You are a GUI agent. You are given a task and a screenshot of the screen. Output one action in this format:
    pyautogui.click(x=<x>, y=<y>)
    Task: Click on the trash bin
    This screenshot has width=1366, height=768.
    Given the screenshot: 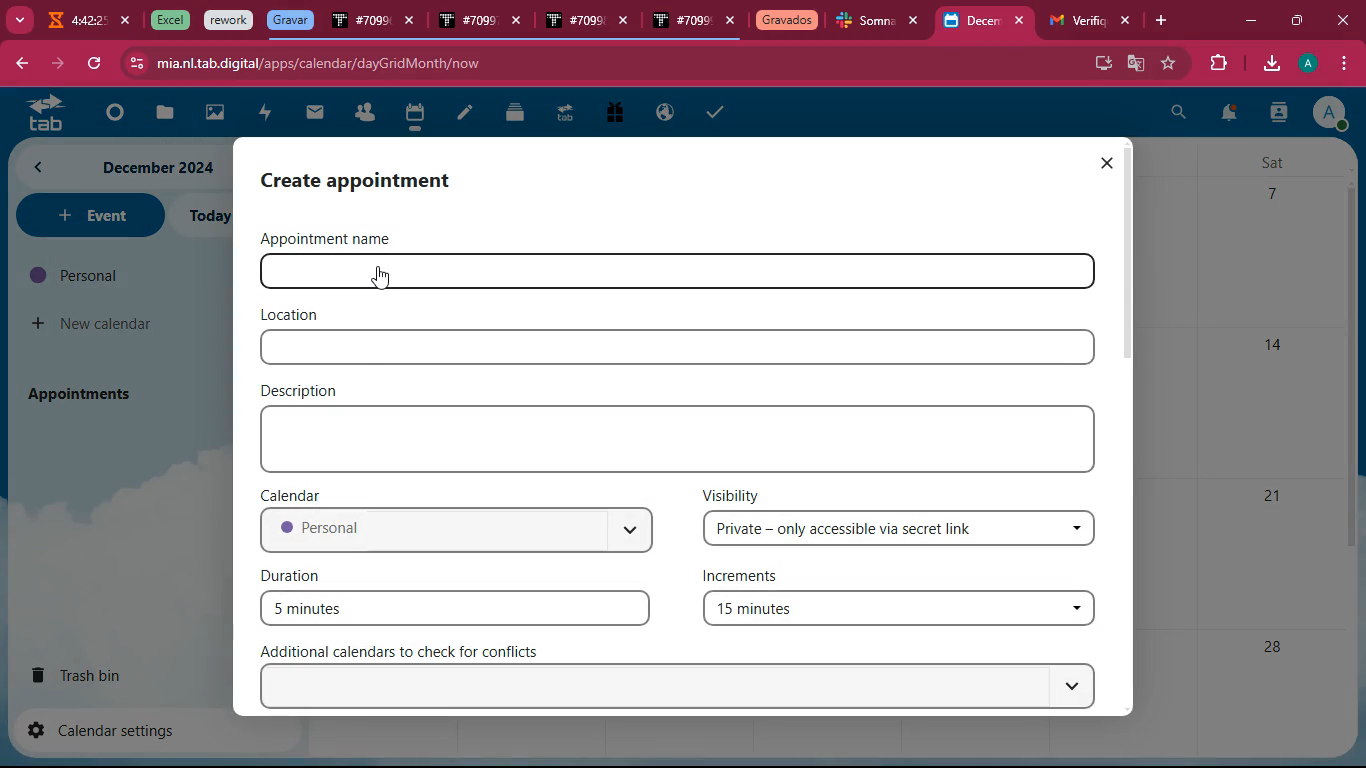 What is the action you would take?
    pyautogui.click(x=96, y=674)
    